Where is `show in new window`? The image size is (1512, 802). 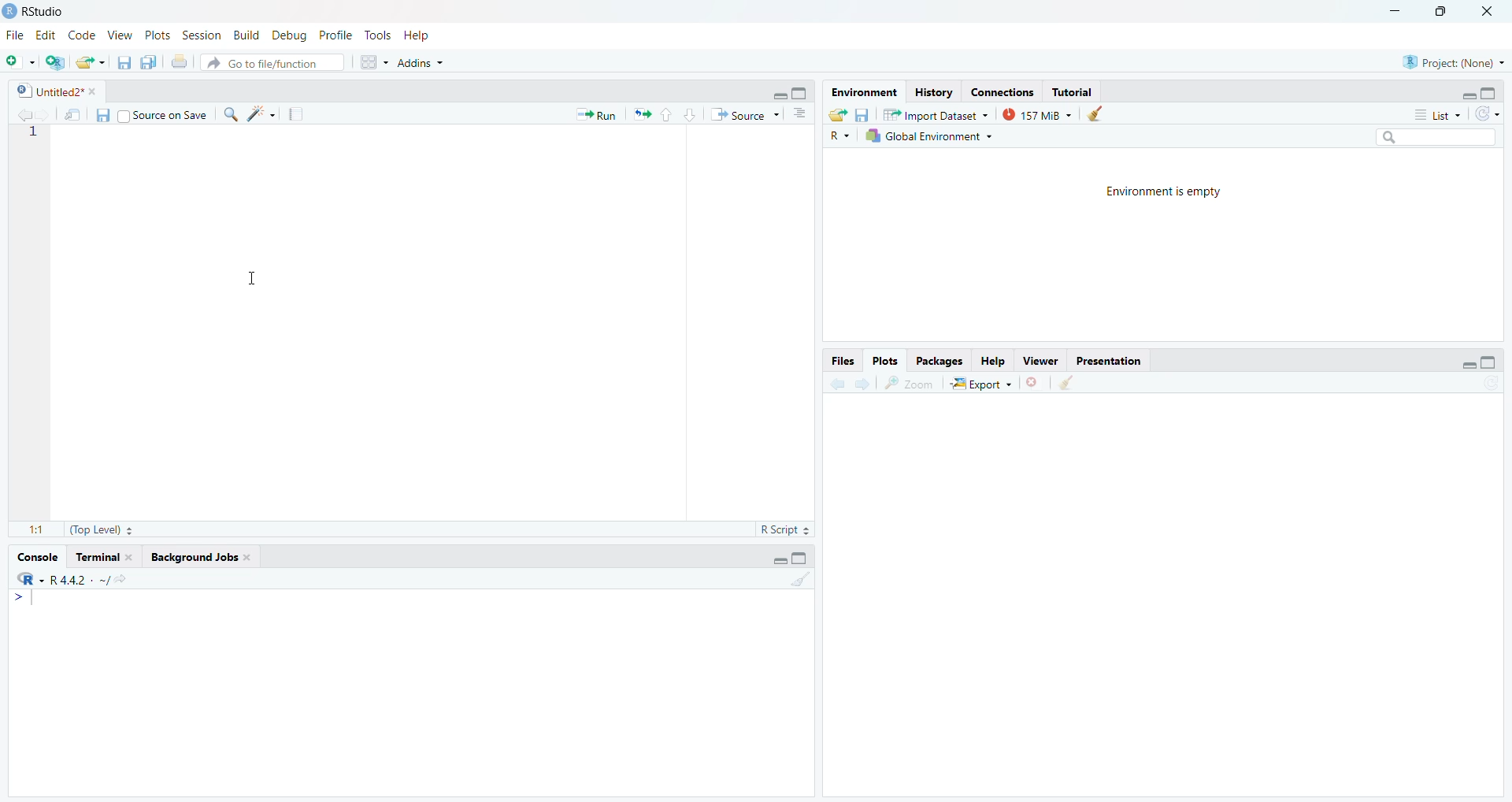
show in new window is located at coordinates (72, 114).